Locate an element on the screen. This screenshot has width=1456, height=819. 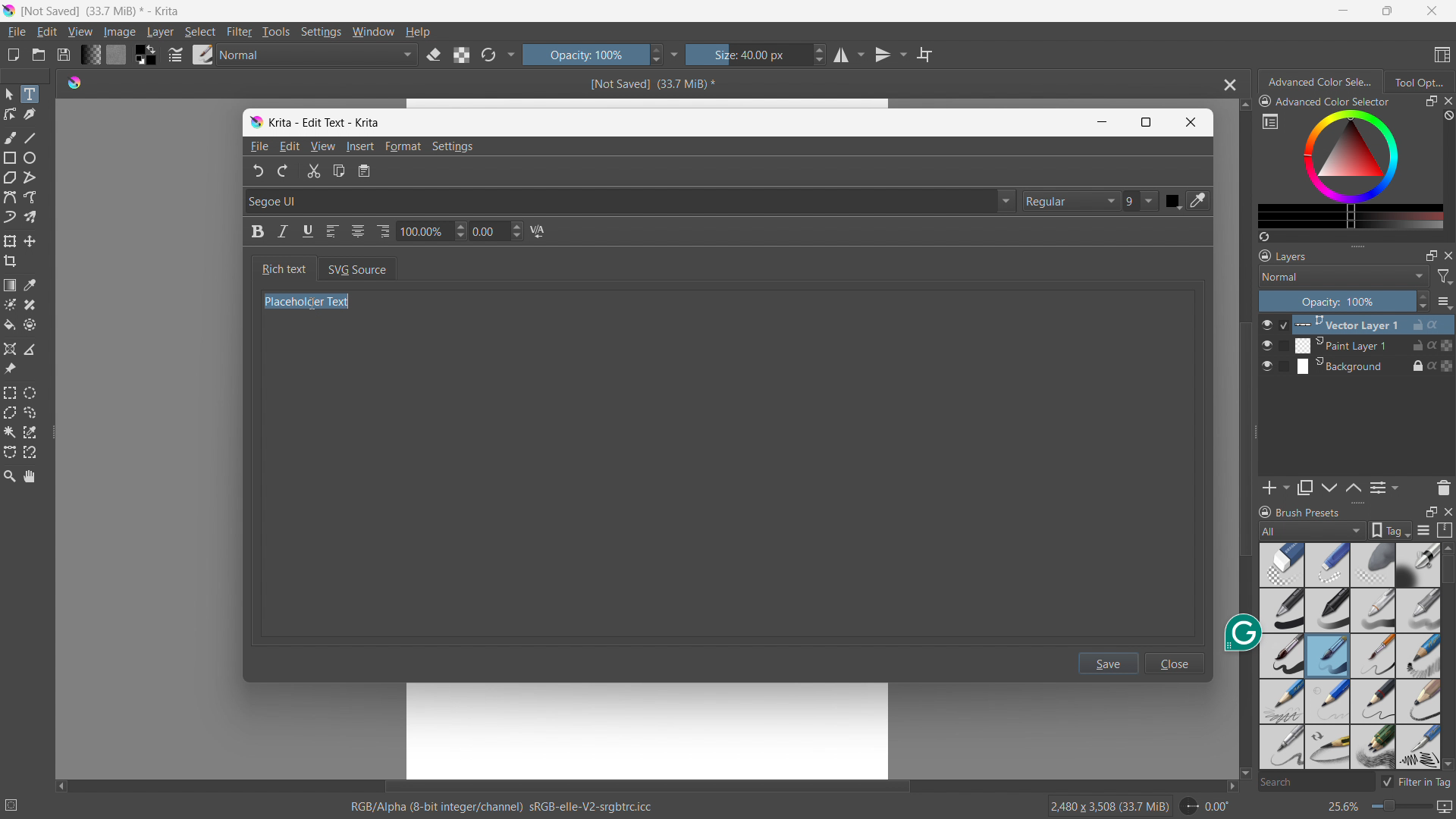
smart patch tool is located at coordinates (30, 305).